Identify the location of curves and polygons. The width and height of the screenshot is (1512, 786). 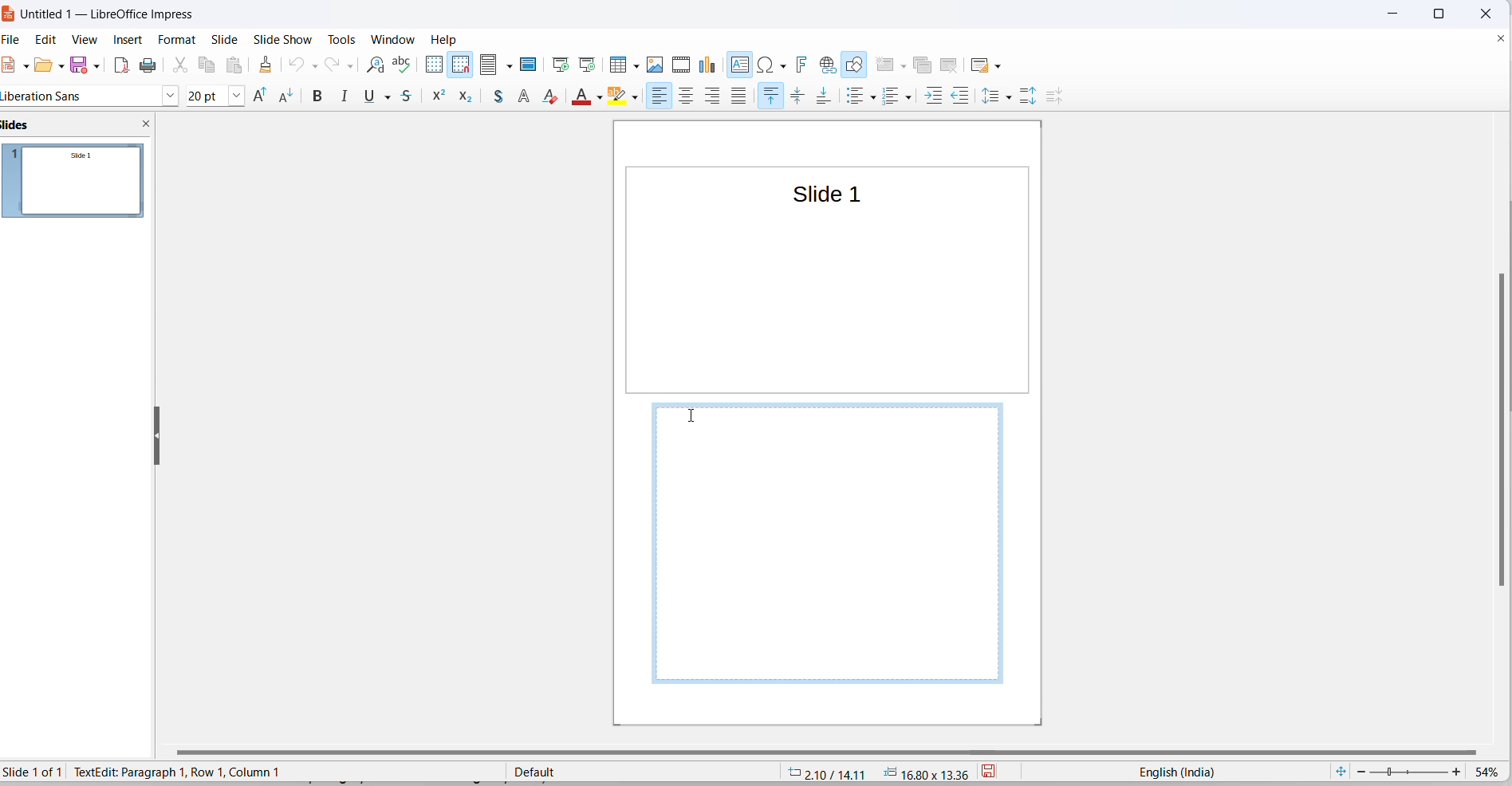
(267, 98).